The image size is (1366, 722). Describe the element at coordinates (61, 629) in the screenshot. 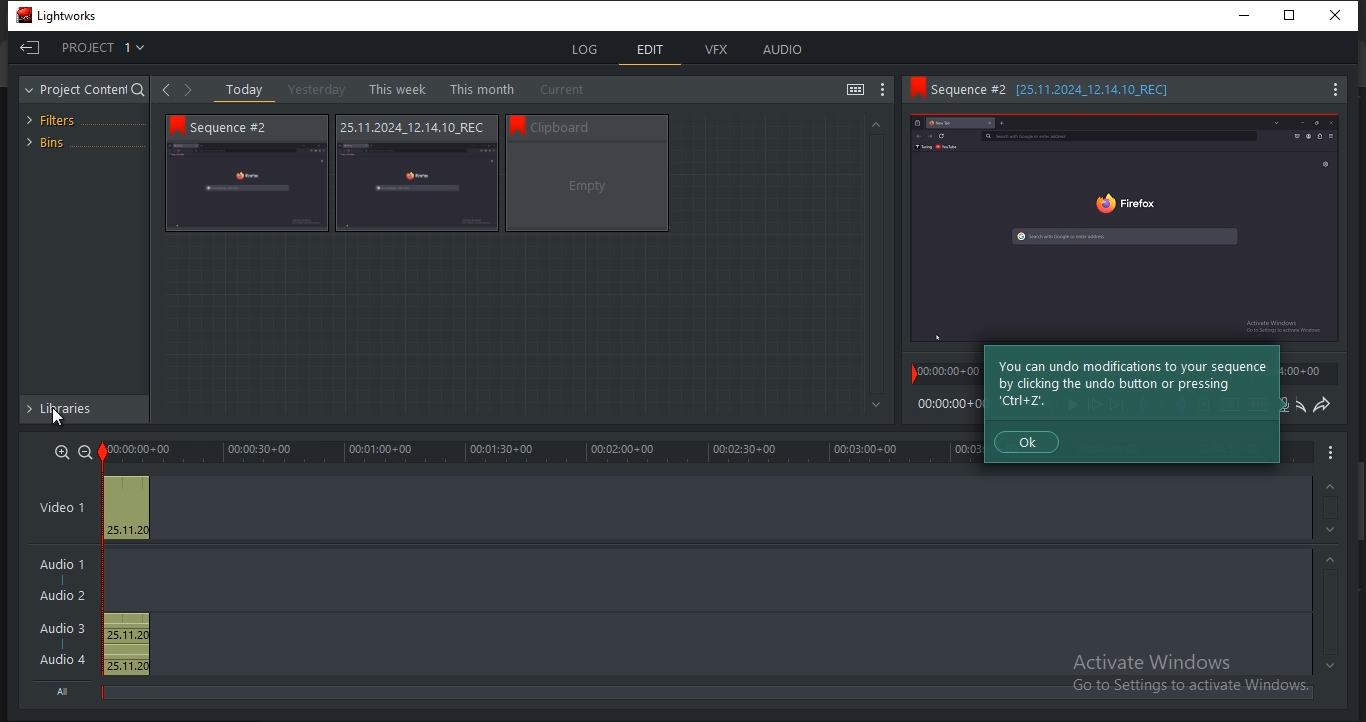

I see `Audio 3` at that location.